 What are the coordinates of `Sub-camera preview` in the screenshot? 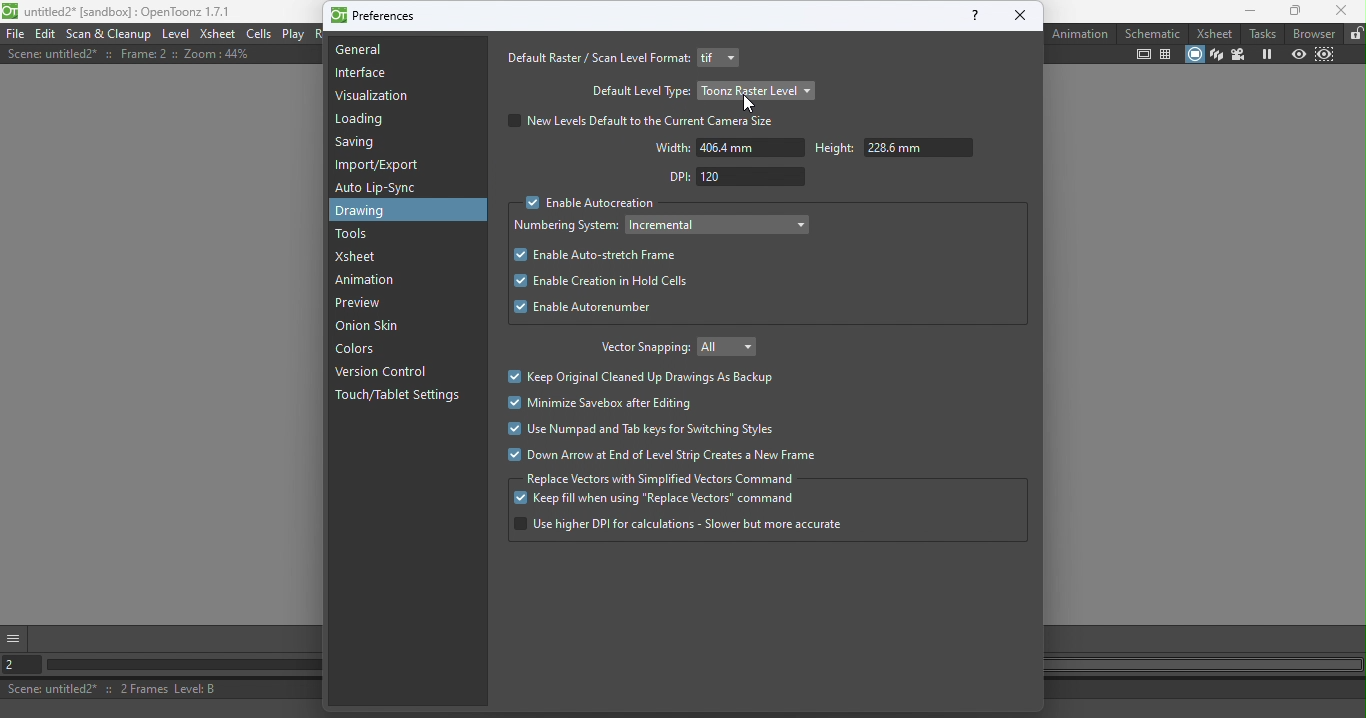 It's located at (1325, 57).